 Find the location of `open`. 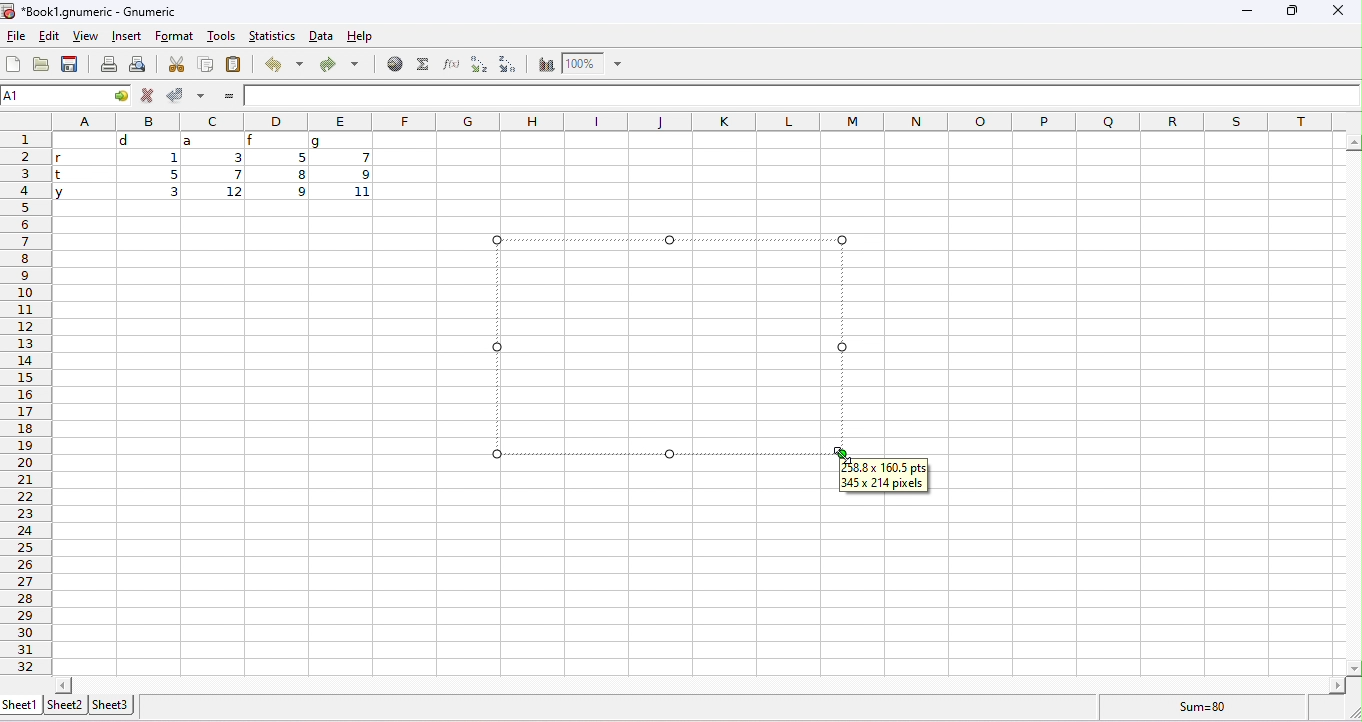

open is located at coordinates (43, 65).